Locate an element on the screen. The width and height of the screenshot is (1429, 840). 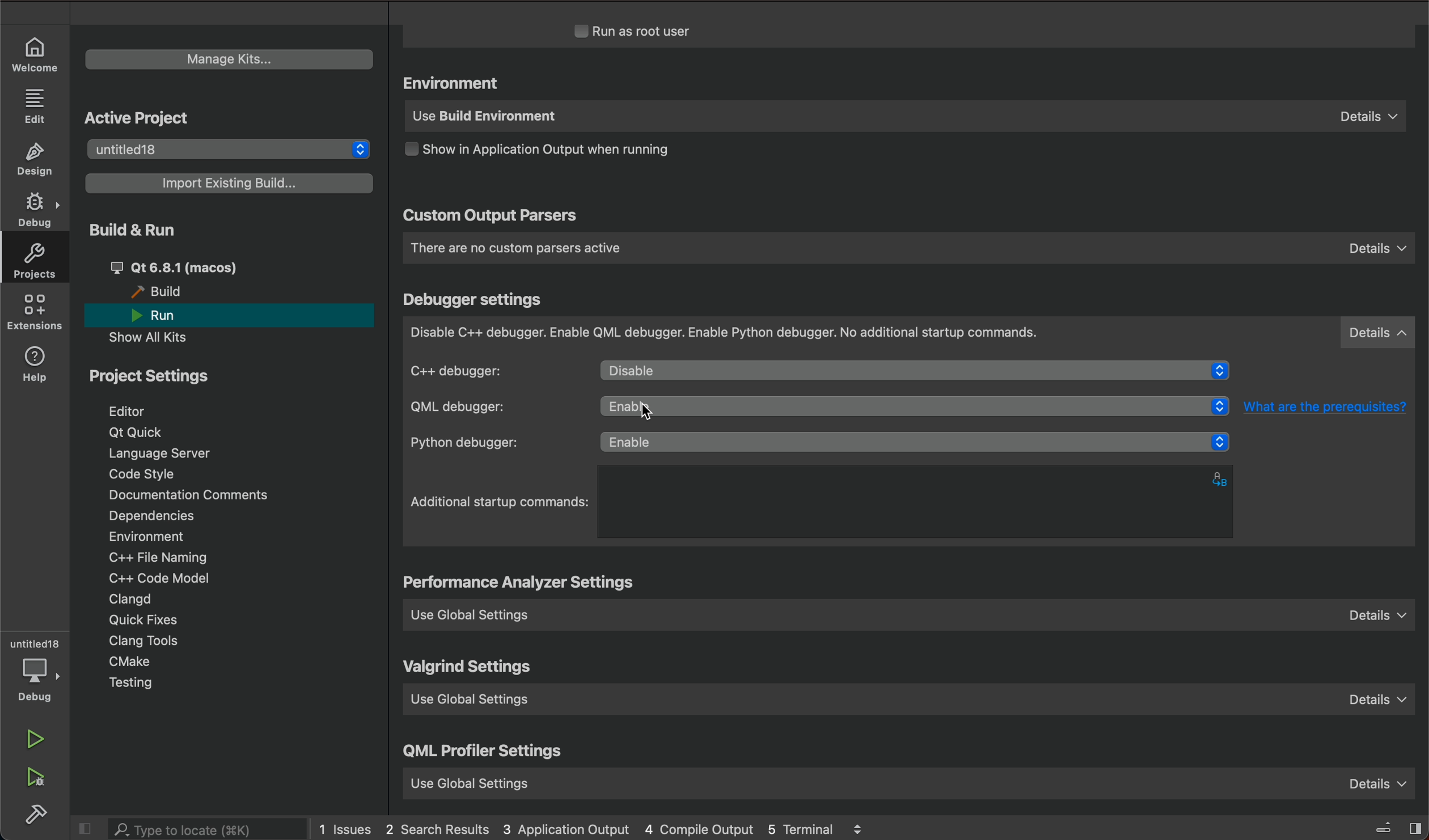
environment is located at coordinates (455, 84).